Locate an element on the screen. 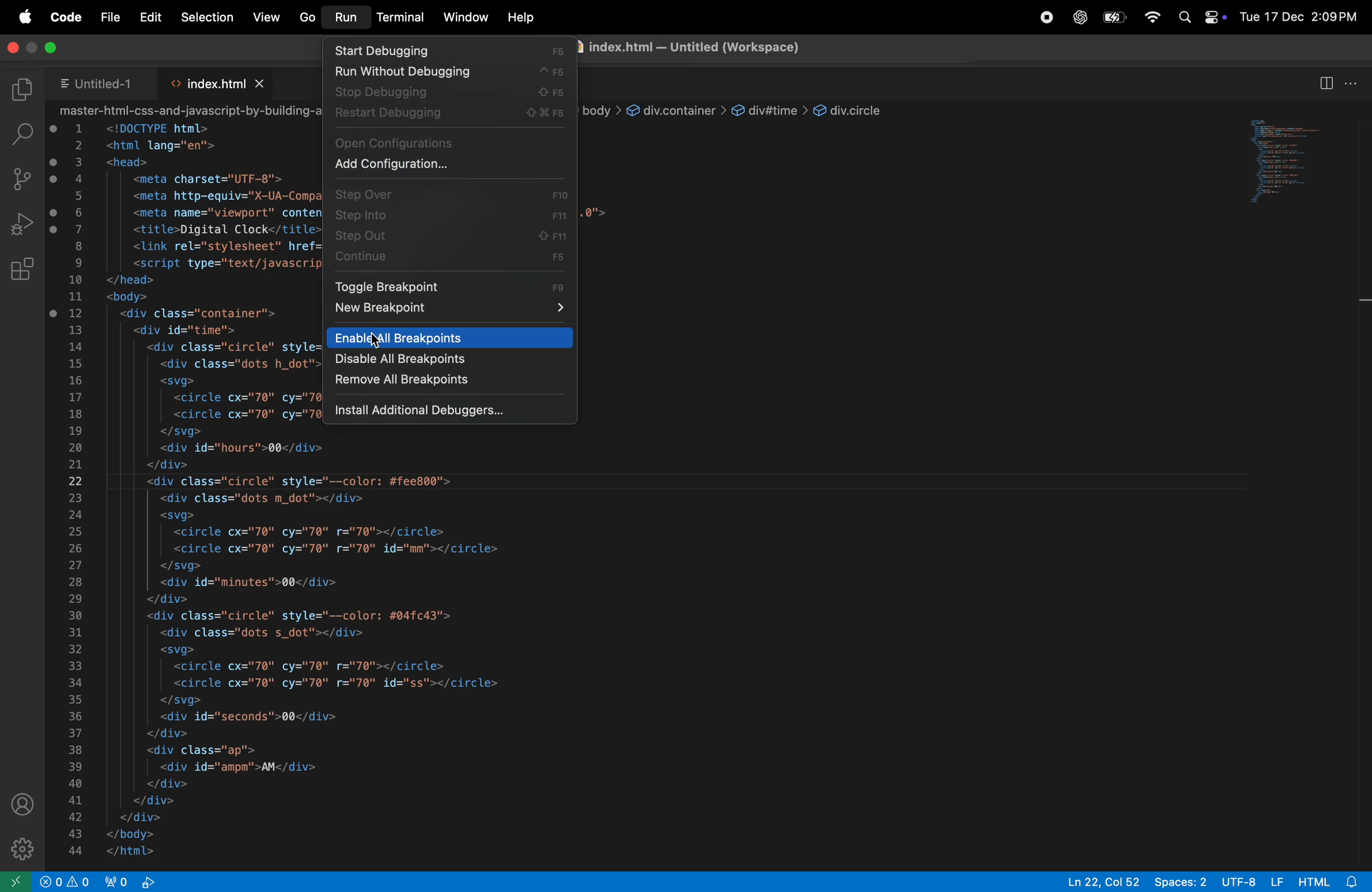  run debug is located at coordinates (21, 224).